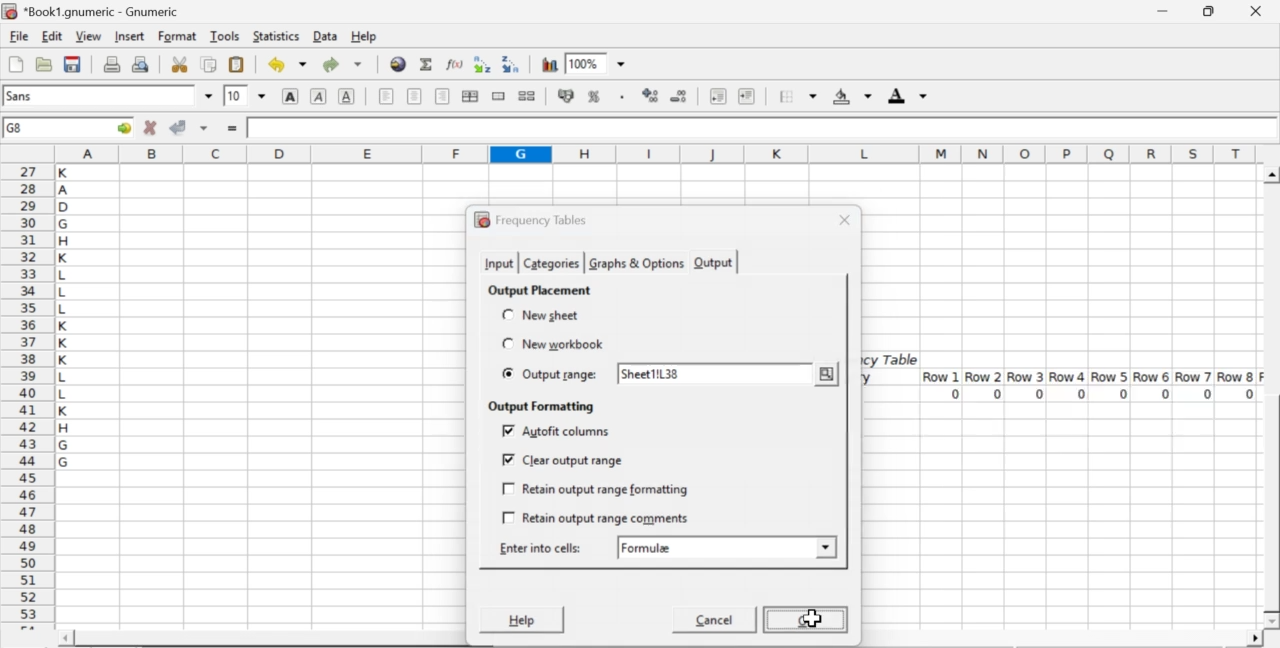 The width and height of the screenshot is (1280, 648). What do you see at coordinates (828, 373) in the screenshot?
I see `more` at bounding box center [828, 373].